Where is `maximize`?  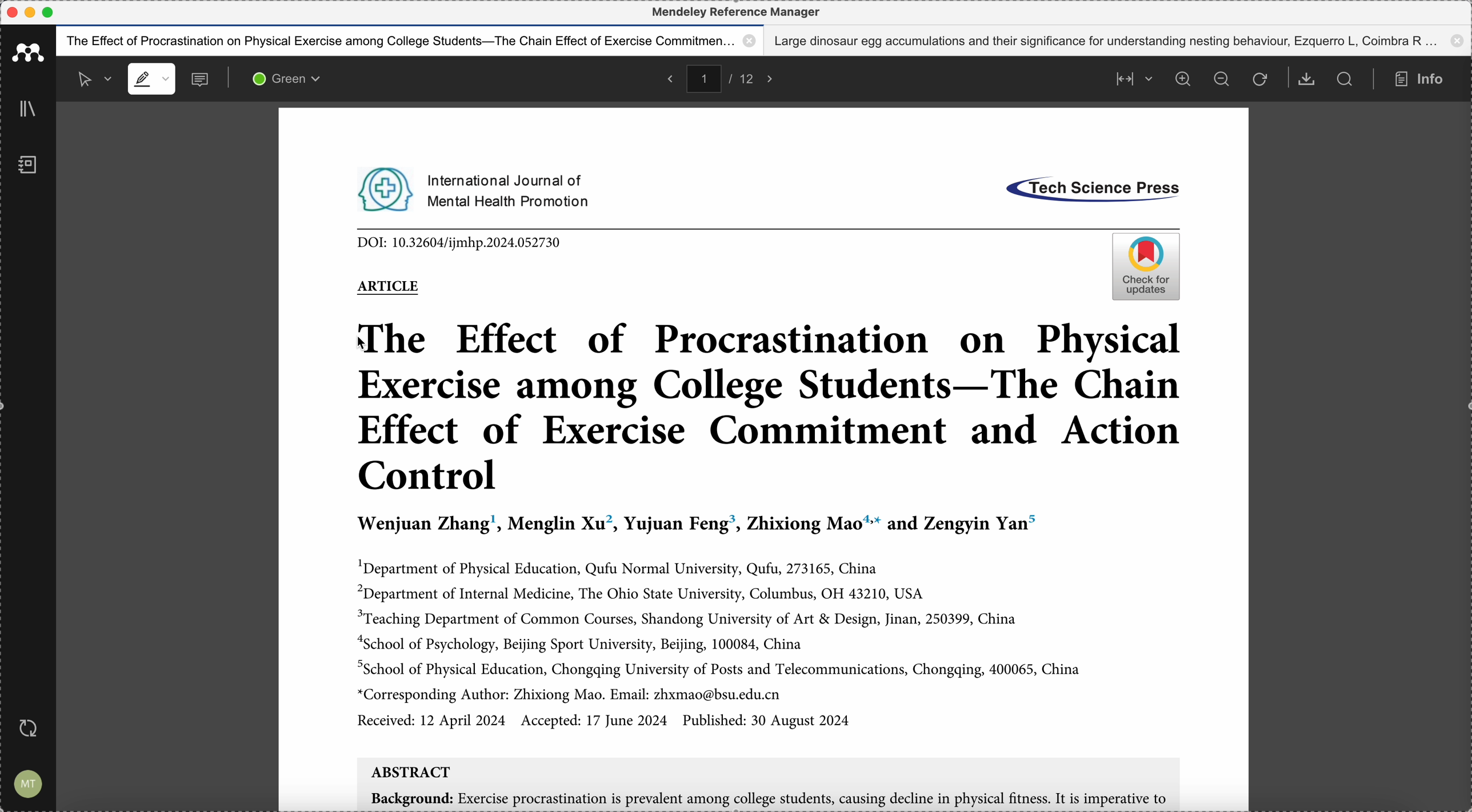
maximize is located at coordinates (49, 13).